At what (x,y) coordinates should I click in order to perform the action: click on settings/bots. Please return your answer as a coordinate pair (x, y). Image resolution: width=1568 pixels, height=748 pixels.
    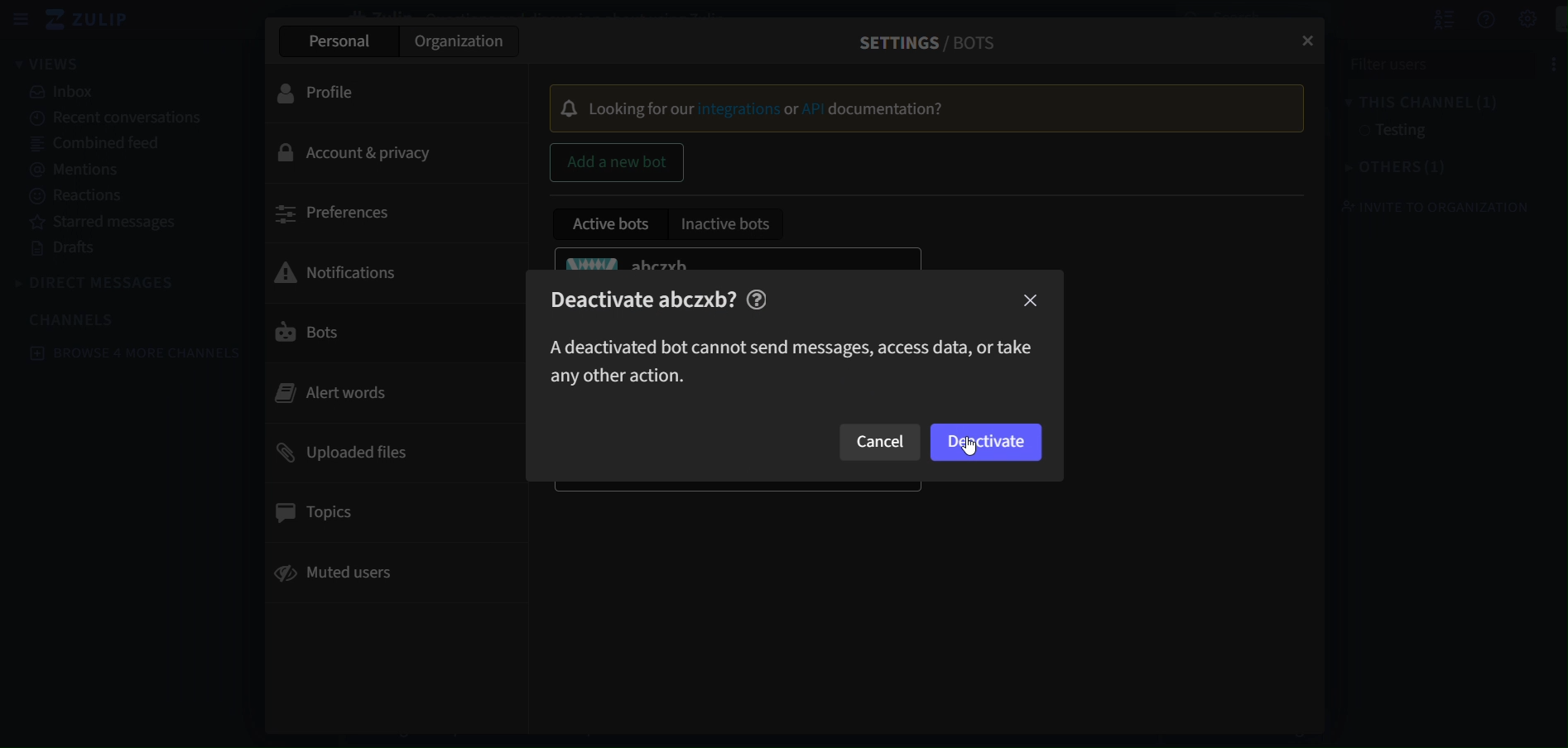
    Looking at the image, I should click on (921, 40).